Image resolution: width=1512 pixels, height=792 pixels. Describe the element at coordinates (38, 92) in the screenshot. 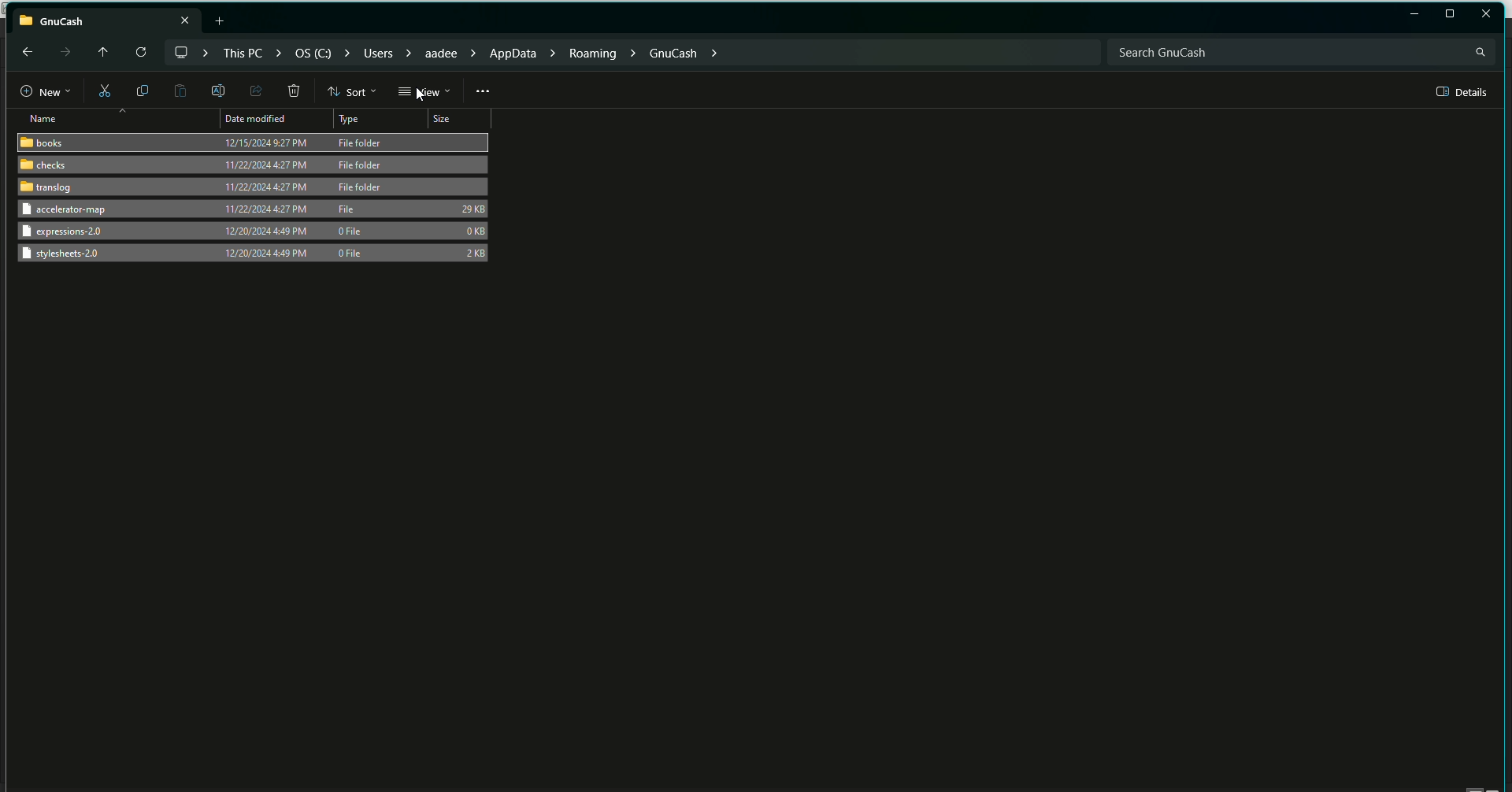

I see `New` at that location.